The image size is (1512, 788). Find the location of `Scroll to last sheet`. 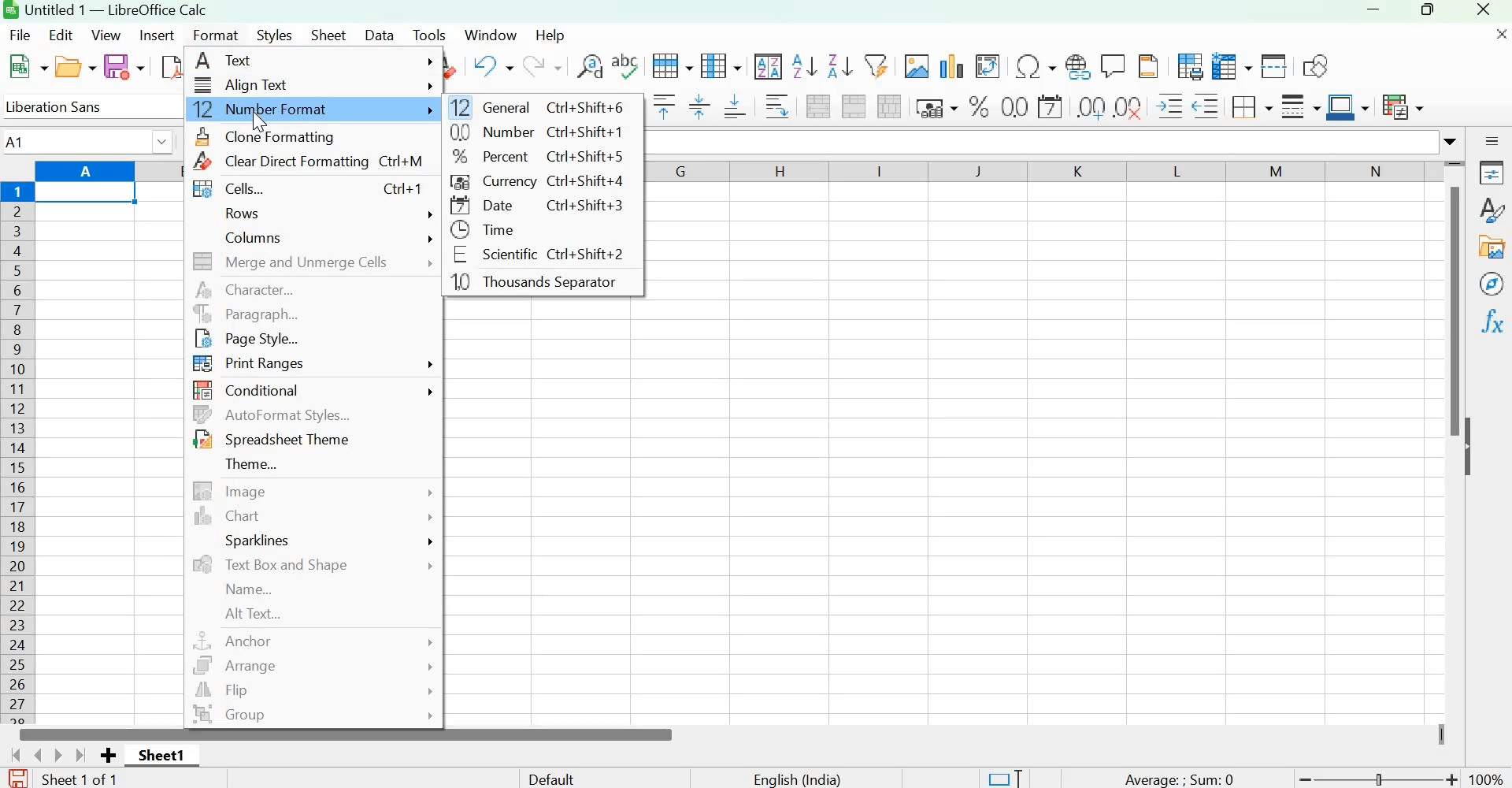

Scroll to last sheet is located at coordinates (83, 756).